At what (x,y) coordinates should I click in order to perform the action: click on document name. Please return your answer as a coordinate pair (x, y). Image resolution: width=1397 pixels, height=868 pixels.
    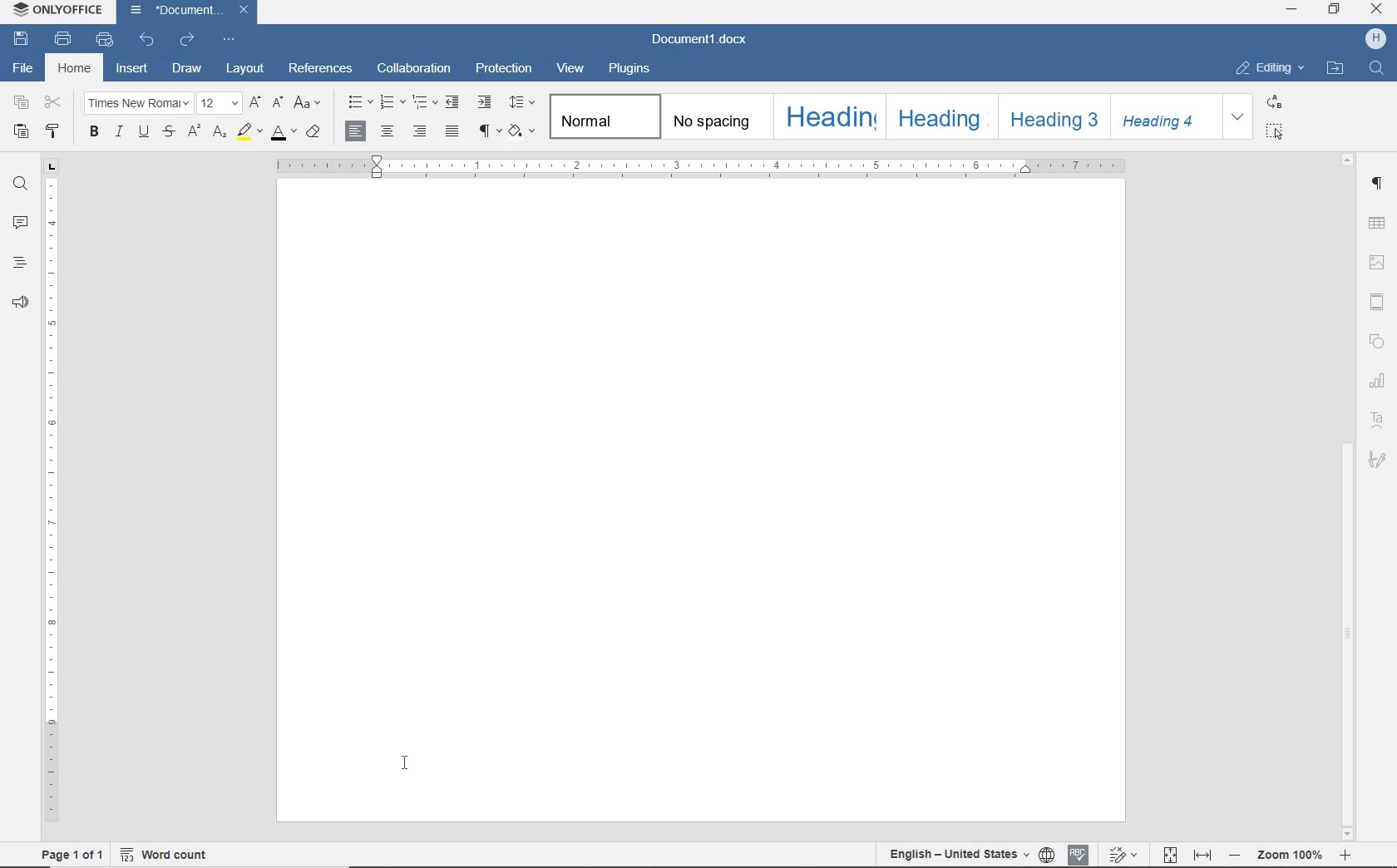
    Looking at the image, I should click on (180, 11).